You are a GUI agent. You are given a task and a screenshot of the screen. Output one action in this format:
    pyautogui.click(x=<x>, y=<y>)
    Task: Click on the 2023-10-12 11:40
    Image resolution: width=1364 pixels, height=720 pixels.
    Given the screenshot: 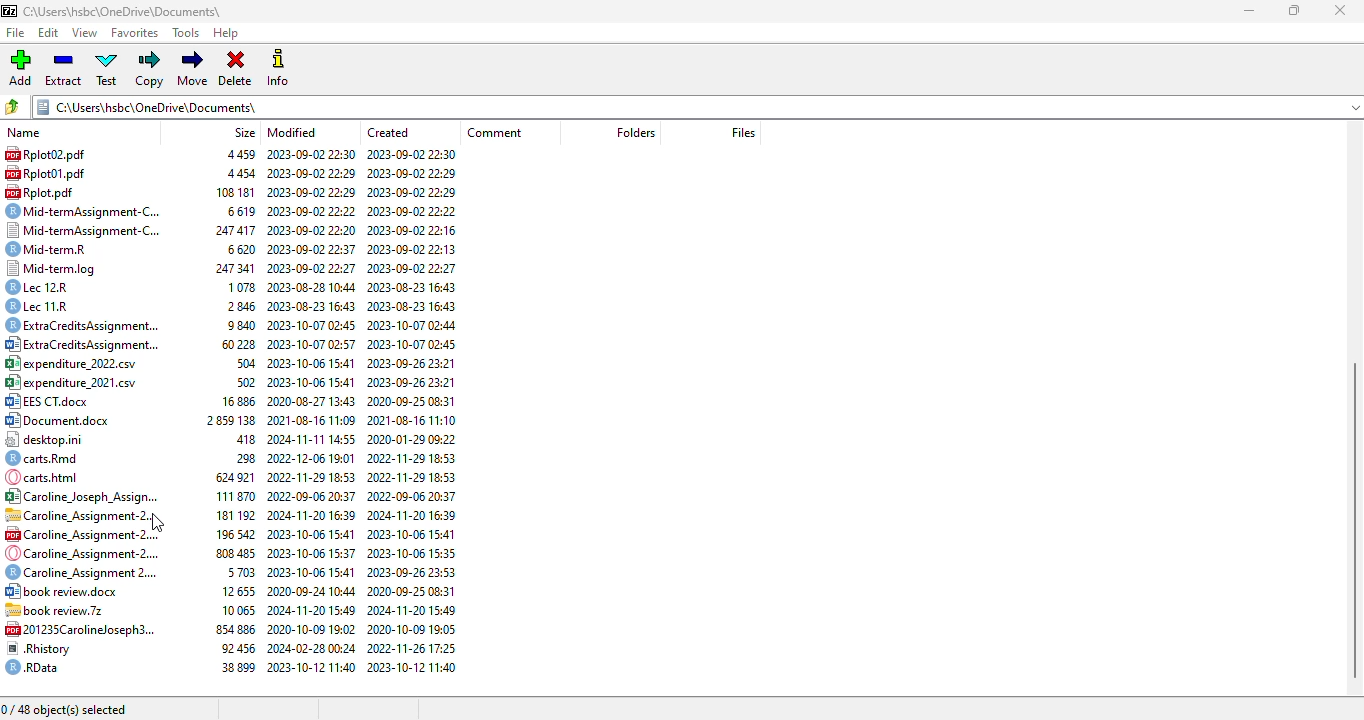 What is the action you would take?
    pyautogui.click(x=312, y=667)
    